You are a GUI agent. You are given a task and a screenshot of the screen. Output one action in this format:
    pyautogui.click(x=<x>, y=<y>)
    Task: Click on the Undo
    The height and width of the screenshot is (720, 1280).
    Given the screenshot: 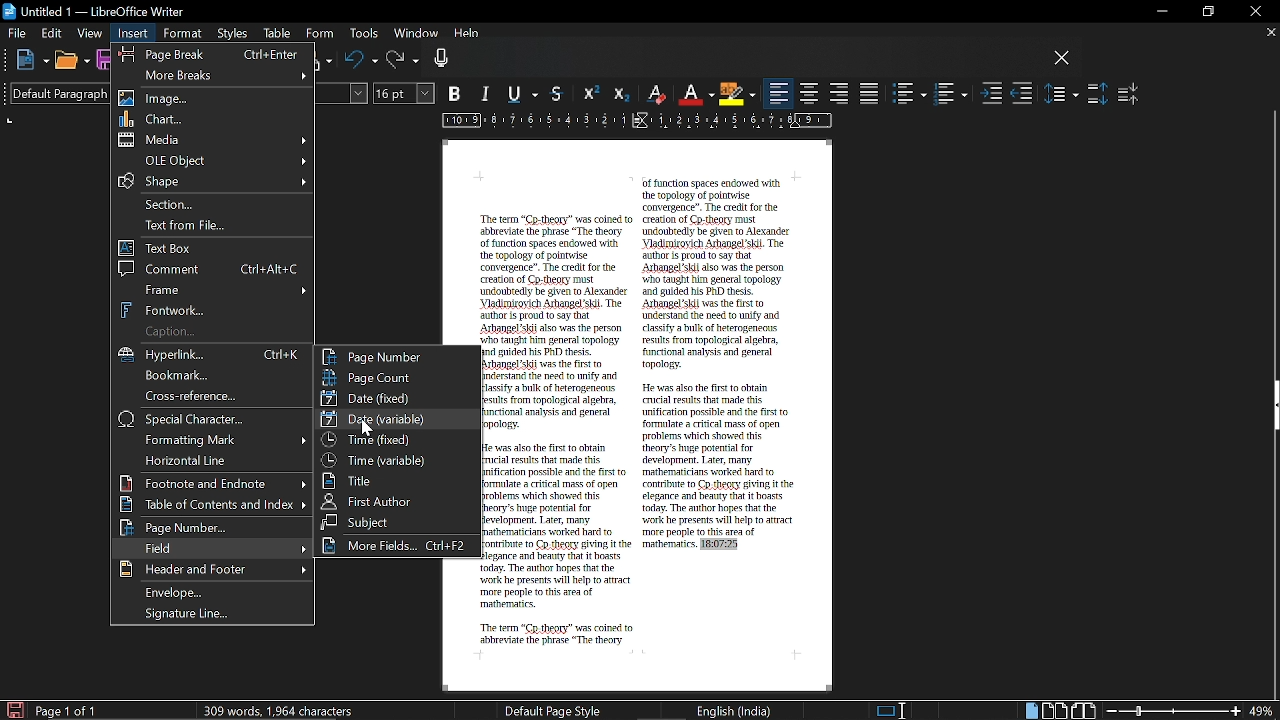 What is the action you would take?
    pyautogui.click(x=361, y=61)
    